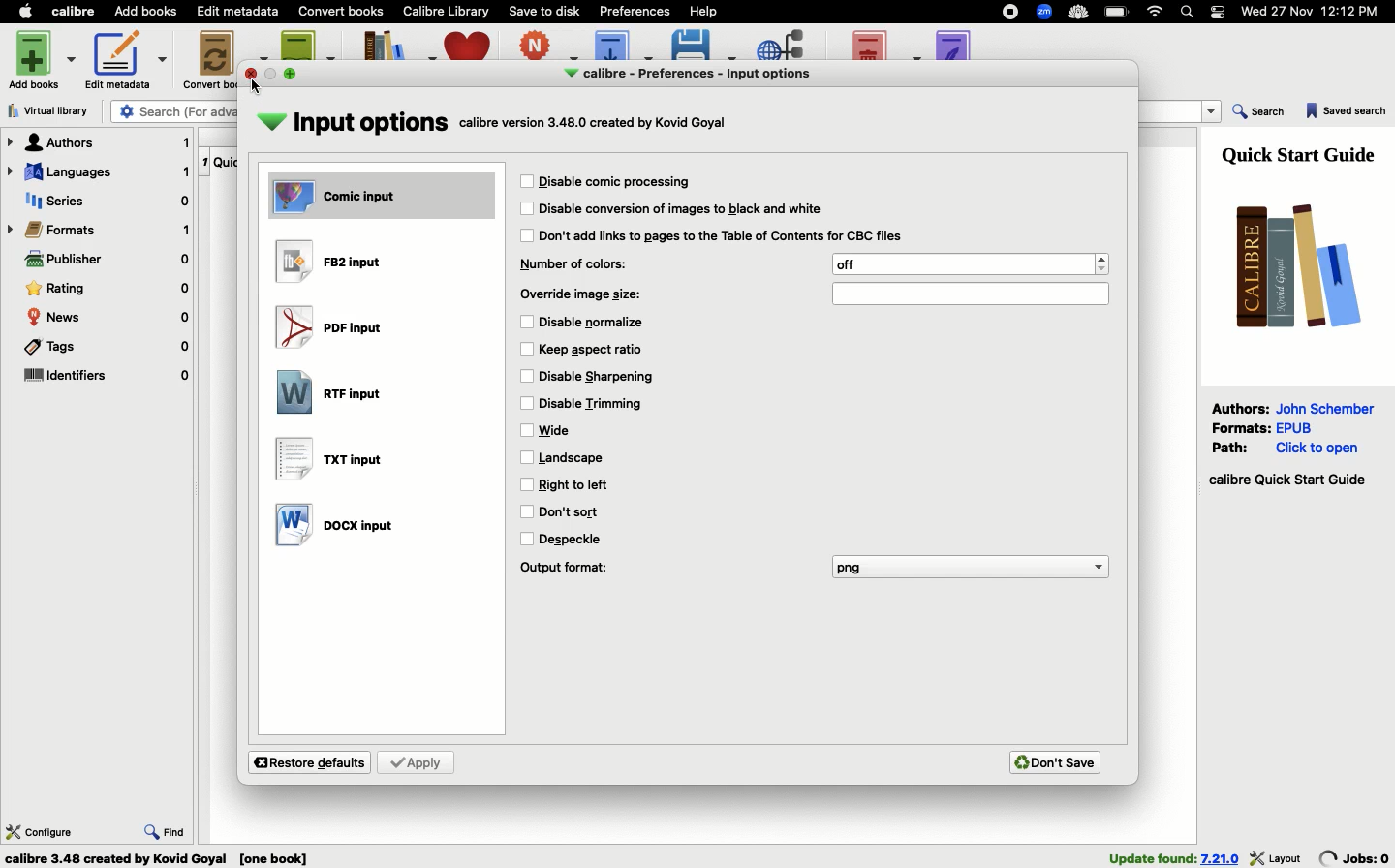 This screenshot has height=868, width=1395. What do you see at coordinates (593, 402) in the screenshot?
I see `Disable` at bounding box center [593, 402].